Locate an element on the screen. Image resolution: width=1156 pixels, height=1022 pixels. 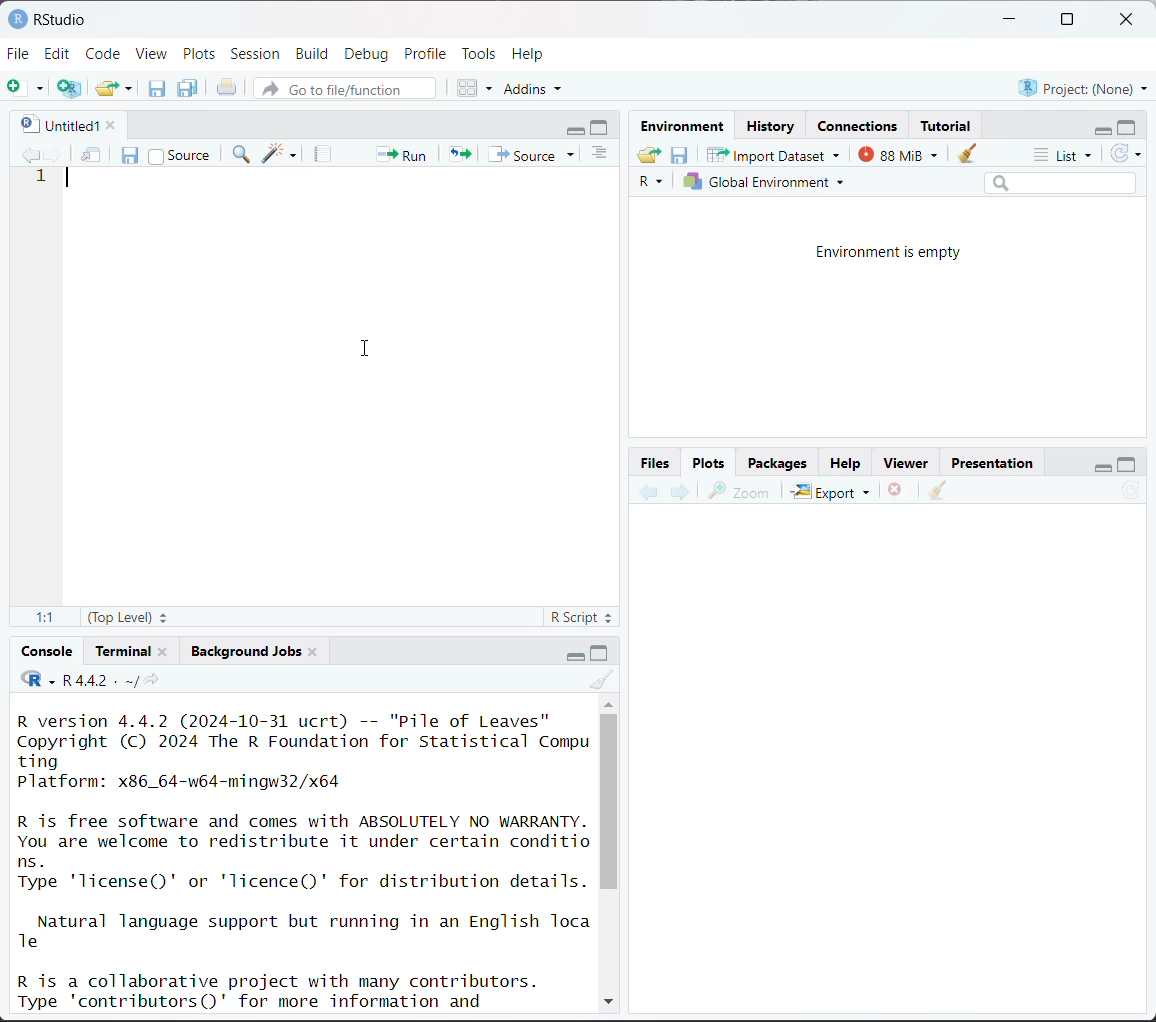
new file is located at coordinates (25, 88).